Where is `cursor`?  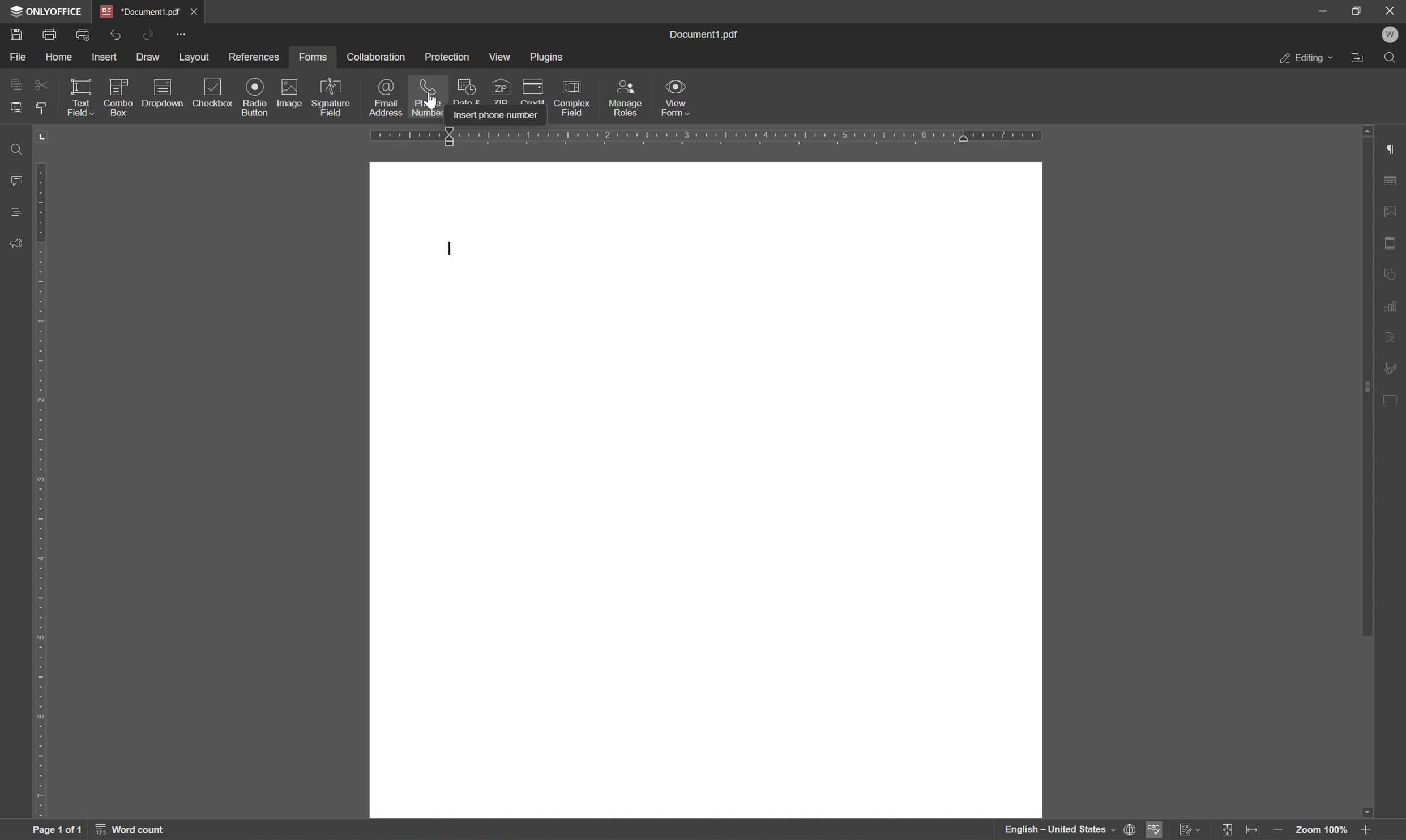 cursor is located at coordinates (434, 101).